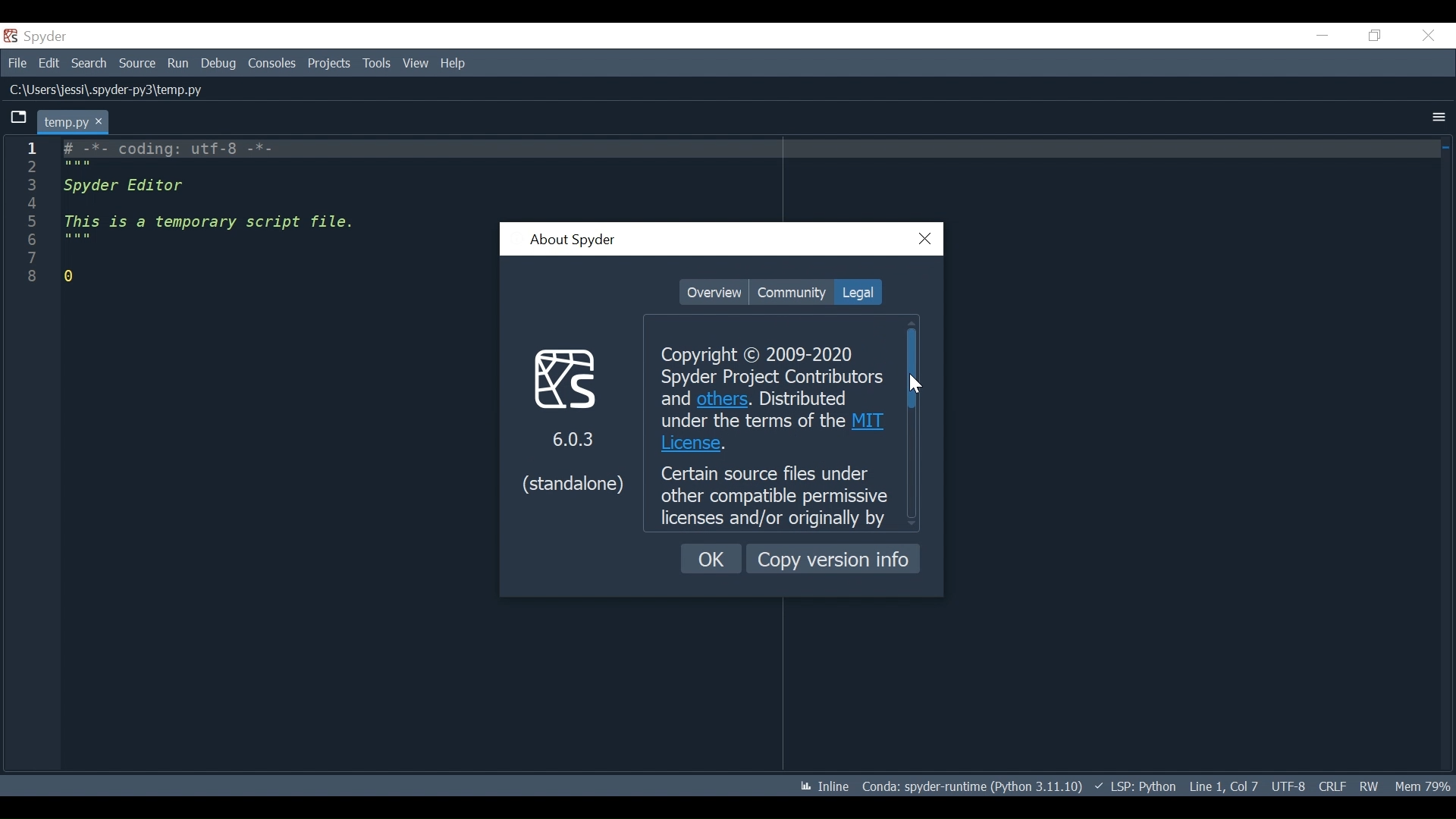 The image size is (1456, 819). Describe the element at coordinates (856, 292) in the screenshot. I see `Legal` at that location.